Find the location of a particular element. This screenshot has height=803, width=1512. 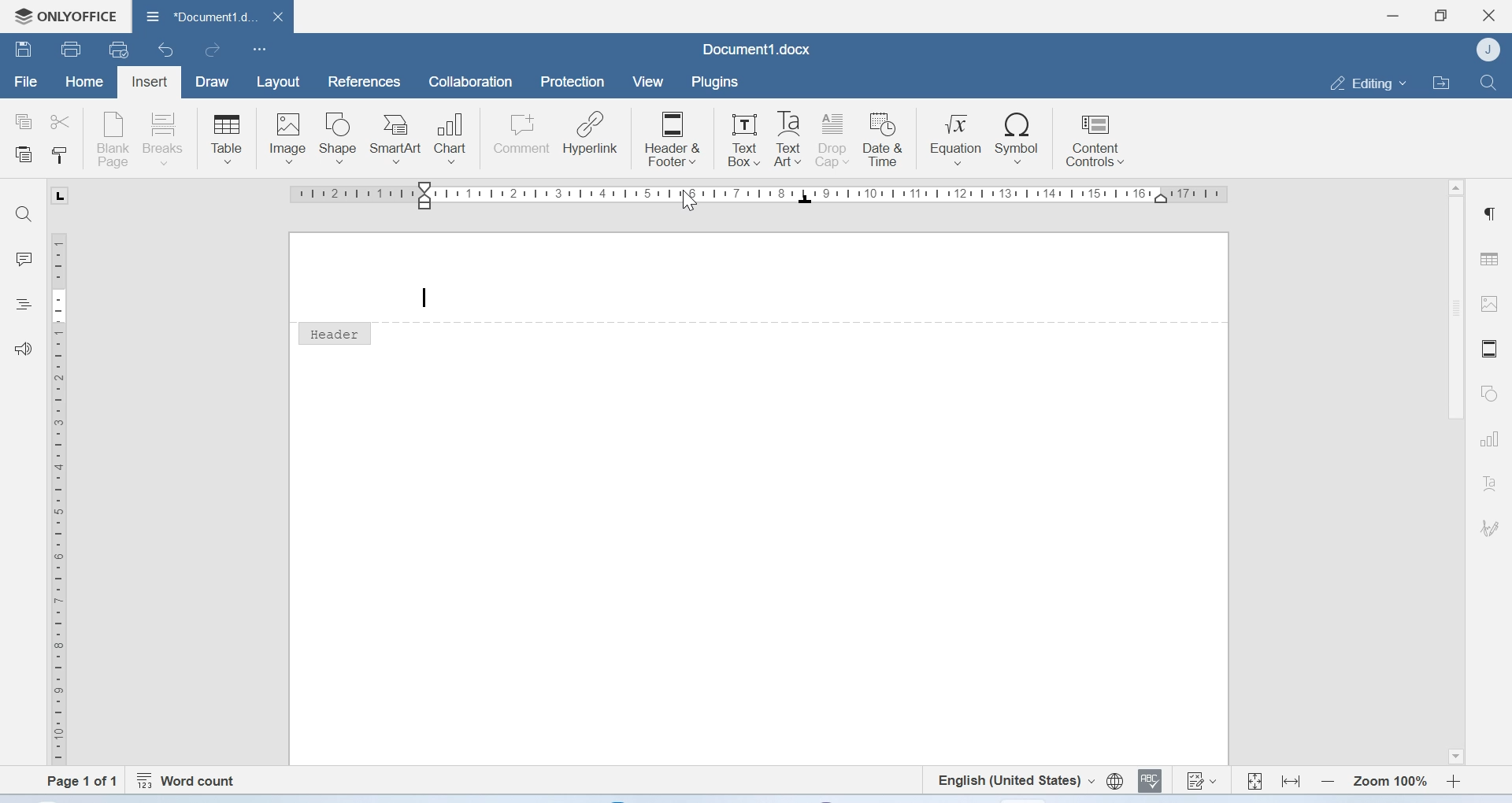

cut is located at coordinates (64, 120).